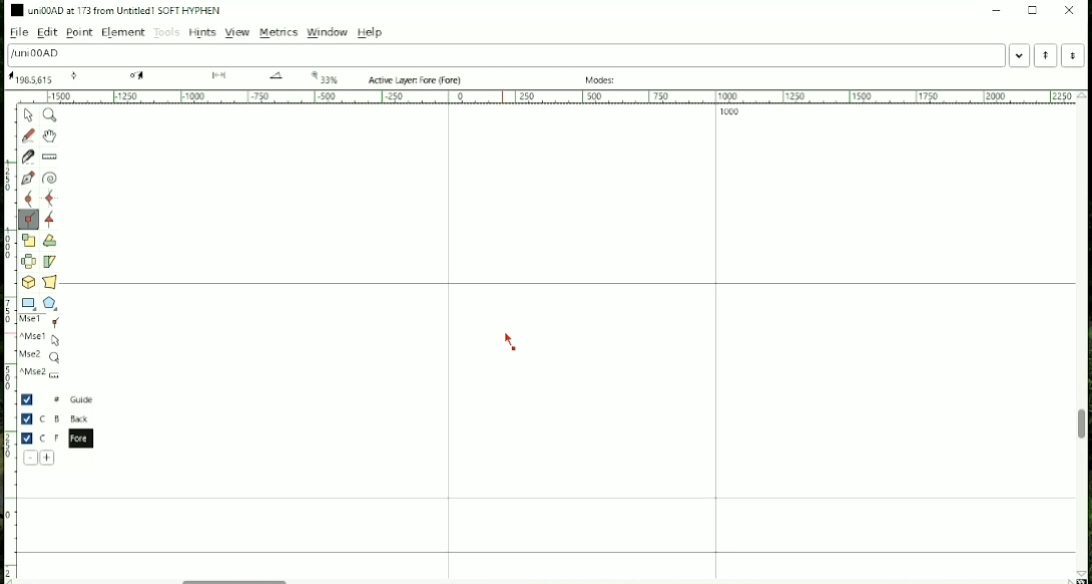 Image resolution: width=1092 pixels, height=584 pixels. Describe the element at coordinates (35, 55) in the screenshot. I see `Letter name` at that location.